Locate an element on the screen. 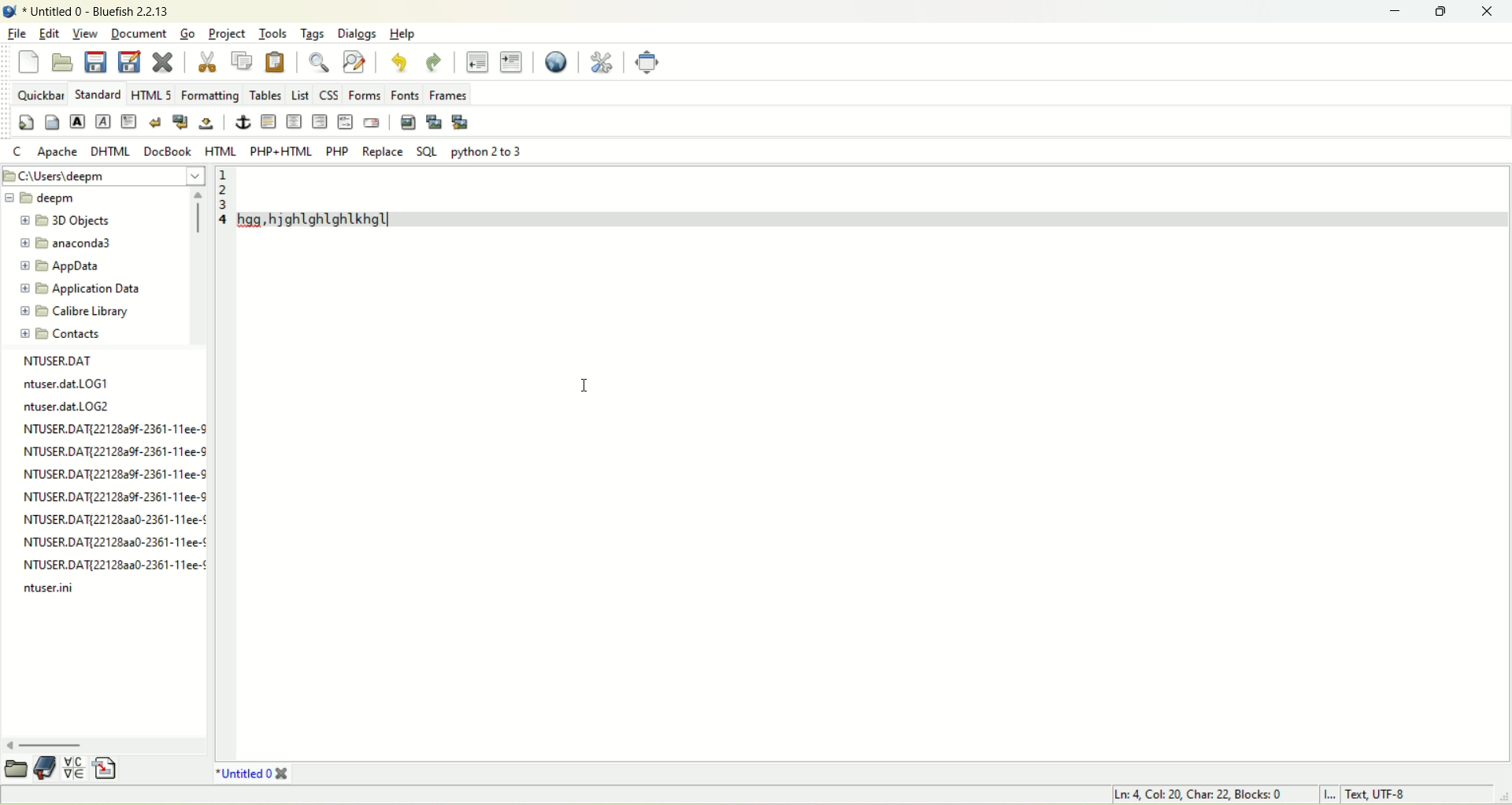 Image resolution: width=1512 pixels, height=805 pixels. fonts is located at coordinates (406, 95).